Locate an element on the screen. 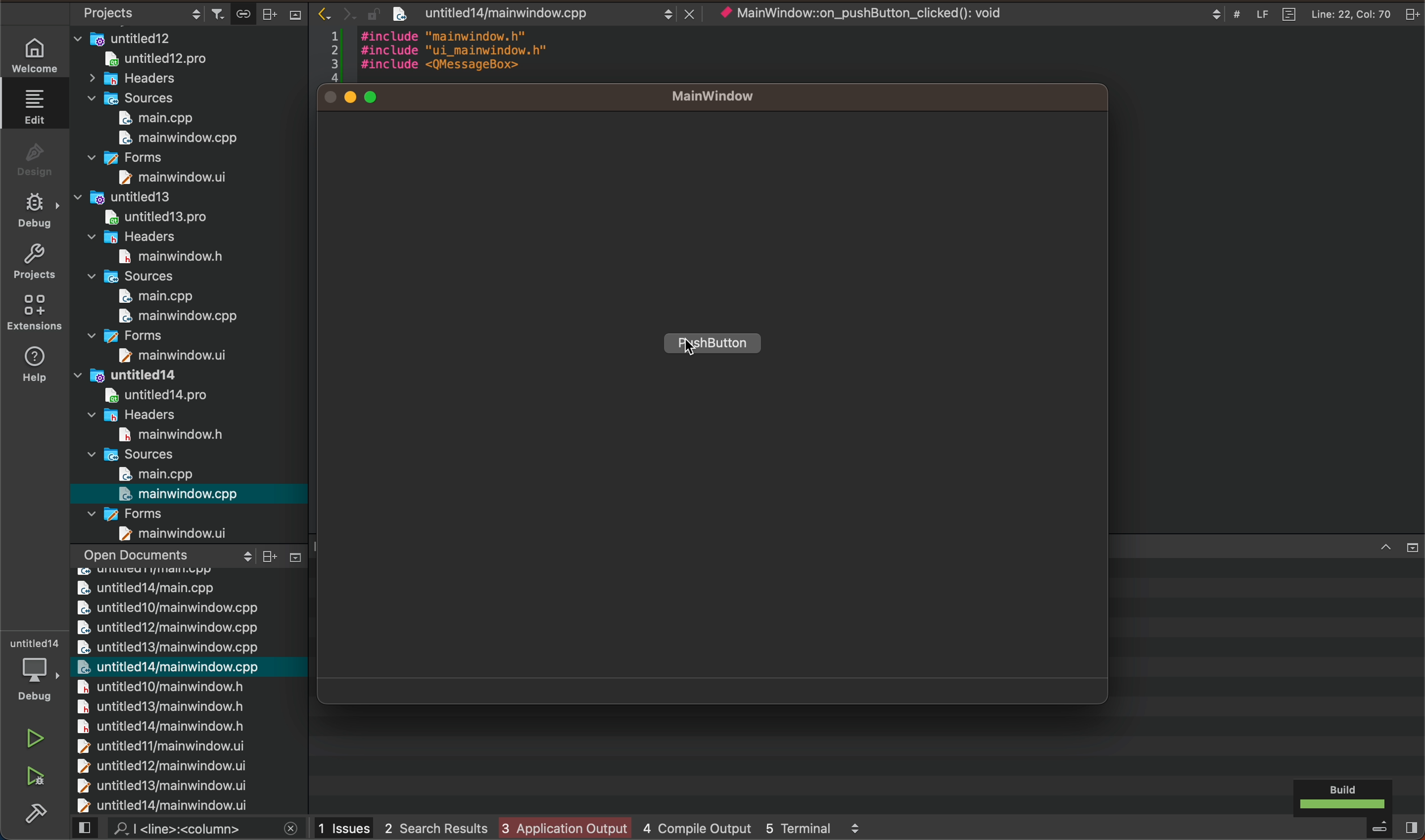 The height and width of the screenshot is (840, 1425). headers is located at coordinates (147, 80).